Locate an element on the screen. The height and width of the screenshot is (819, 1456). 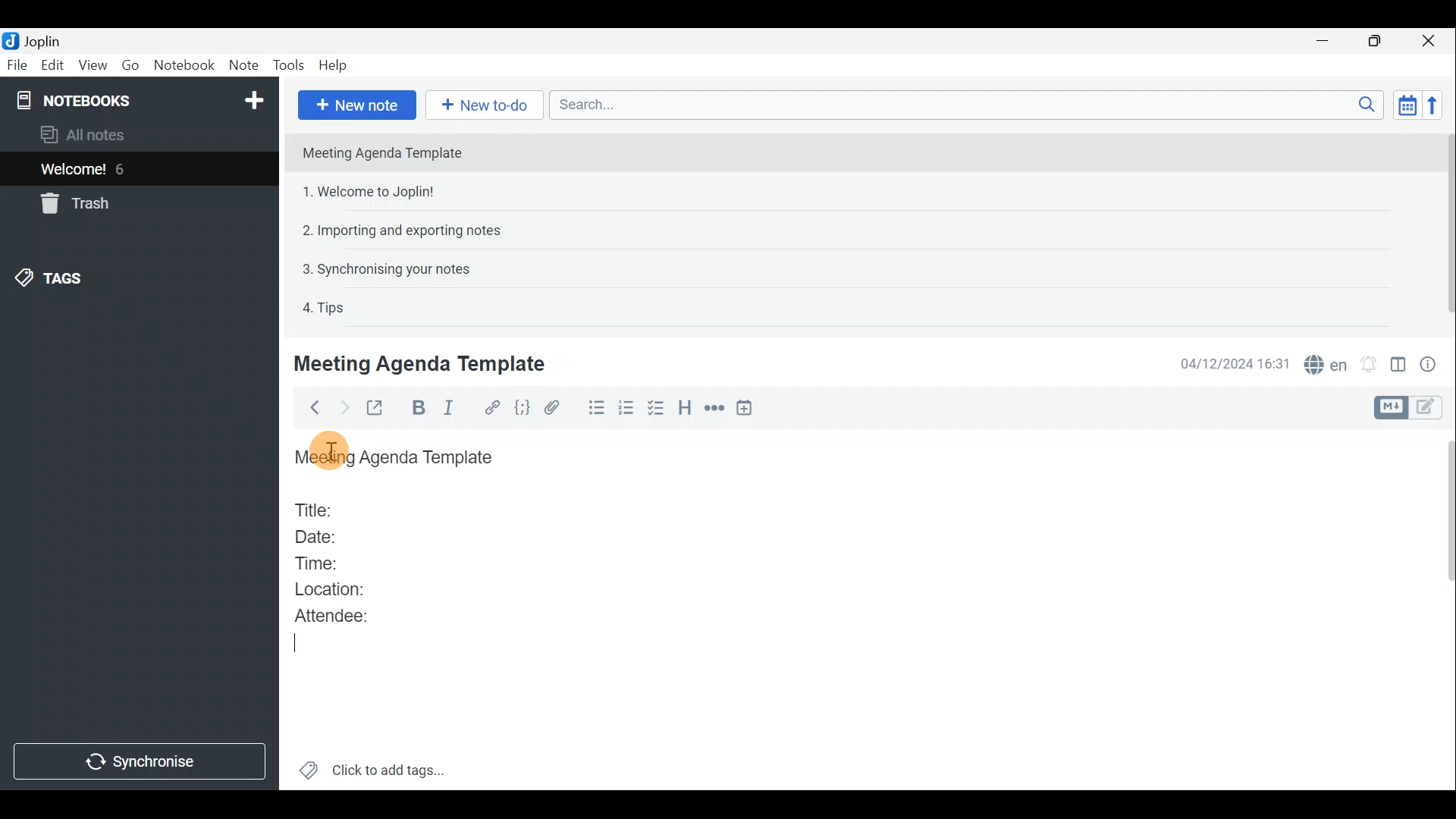
Trash is located at coordinates (72, 203).